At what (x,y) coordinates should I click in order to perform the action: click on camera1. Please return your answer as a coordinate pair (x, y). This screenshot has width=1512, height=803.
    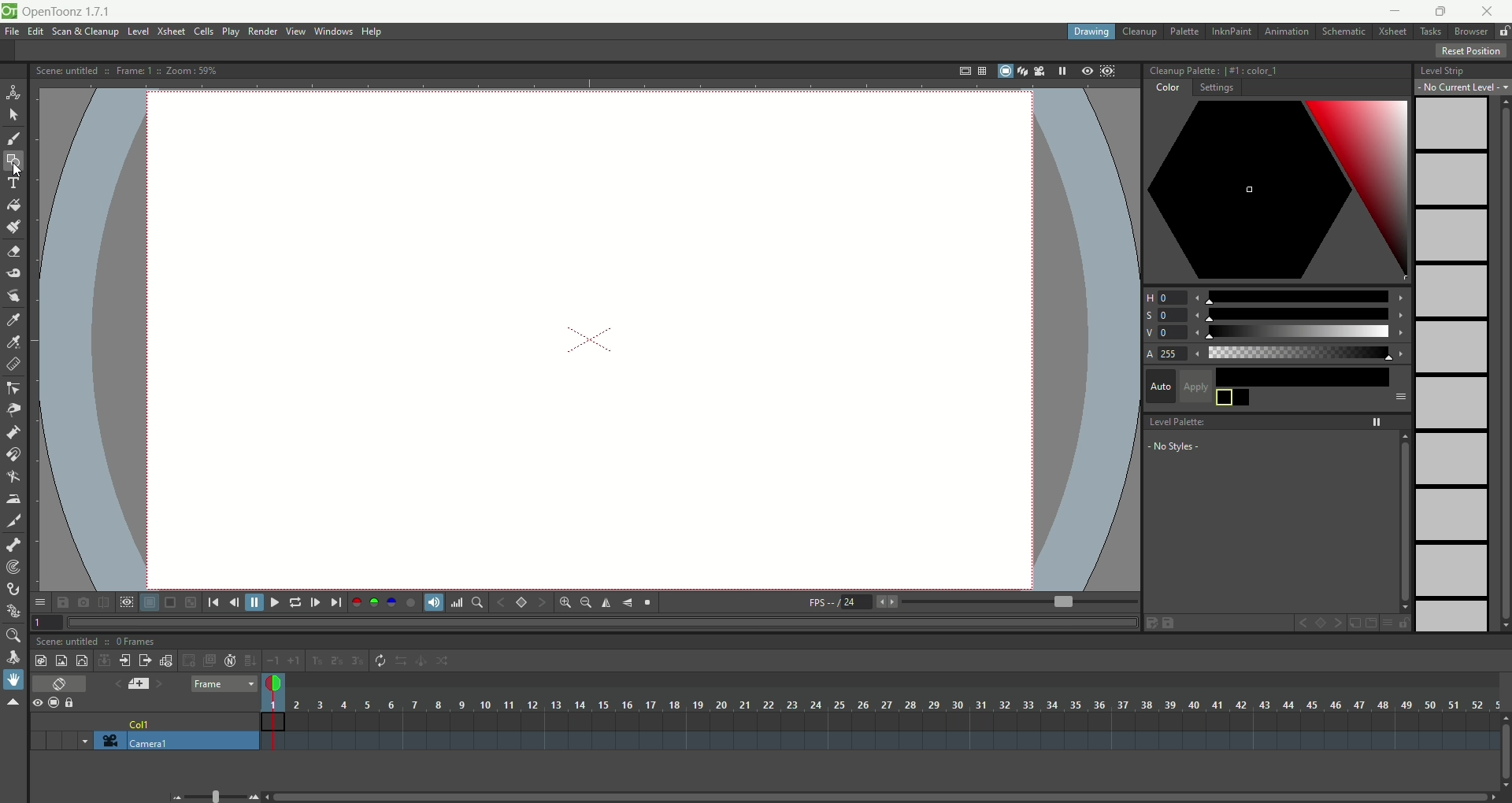
    Looking at the image, I should click on (79, 740).